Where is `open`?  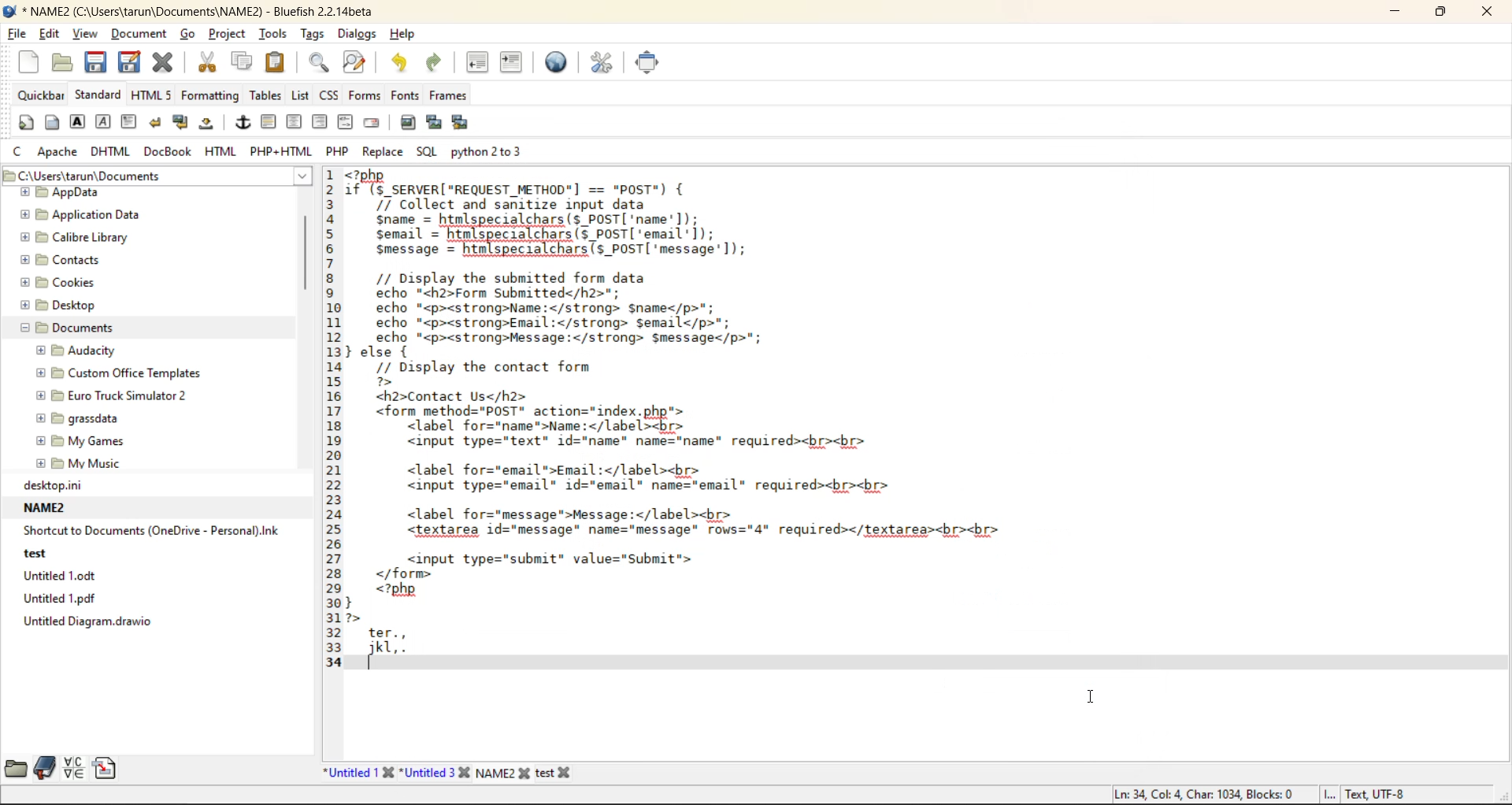
open is located at coordinates (64, 63).